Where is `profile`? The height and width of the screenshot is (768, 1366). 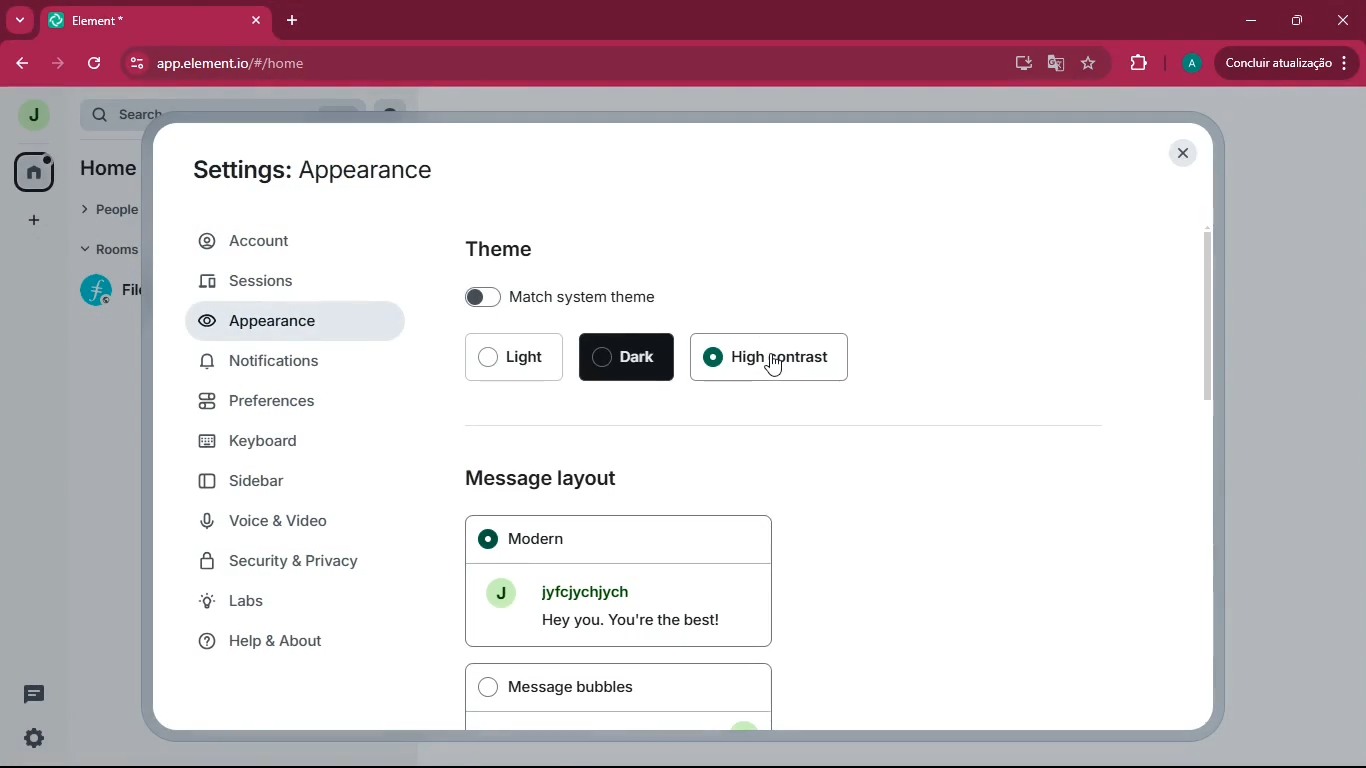 profile is located at coordinates (1192, 65).